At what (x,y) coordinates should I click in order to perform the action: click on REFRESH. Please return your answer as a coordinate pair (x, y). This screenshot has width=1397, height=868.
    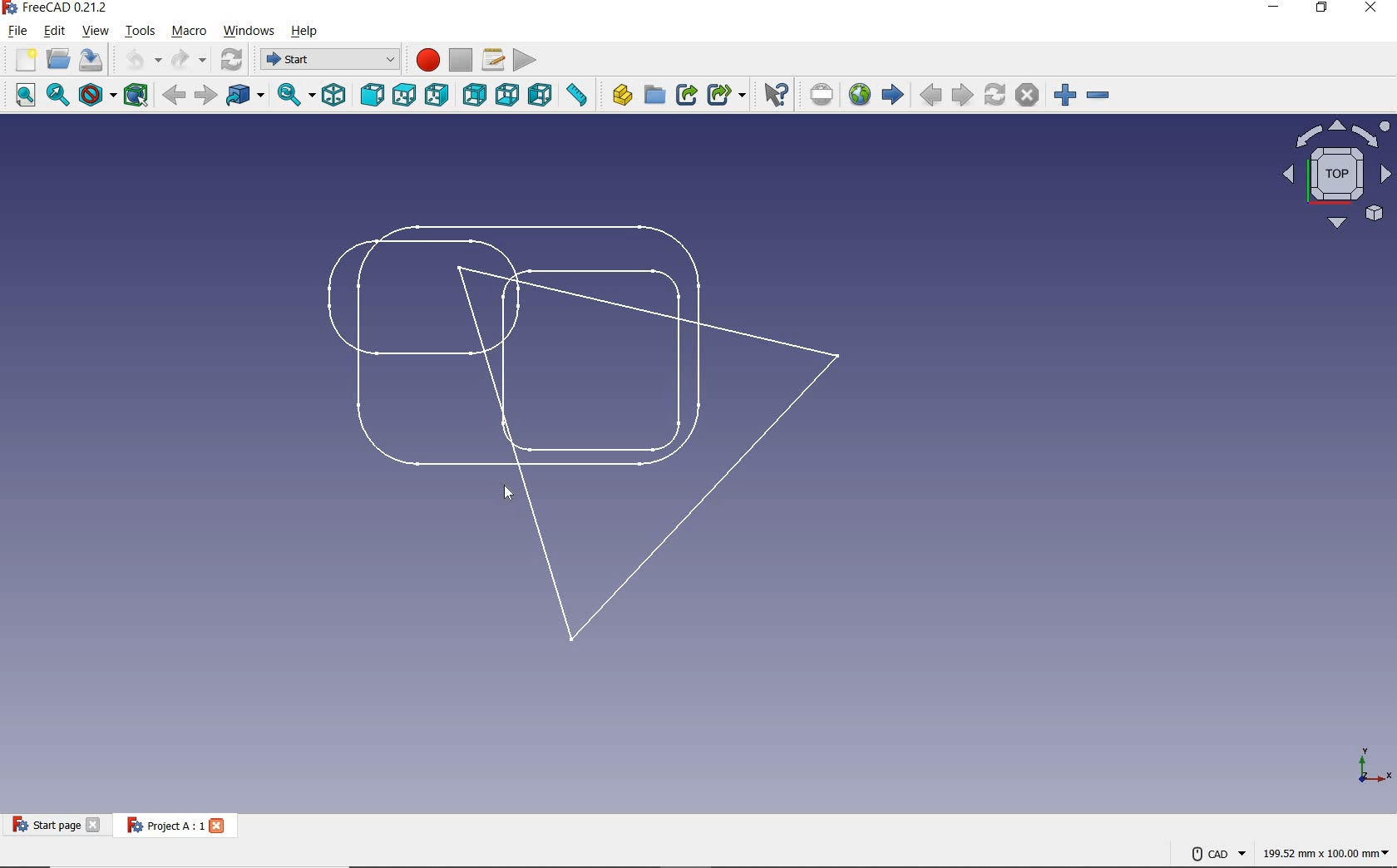
    Looking at the image, I should click on (233, 61).